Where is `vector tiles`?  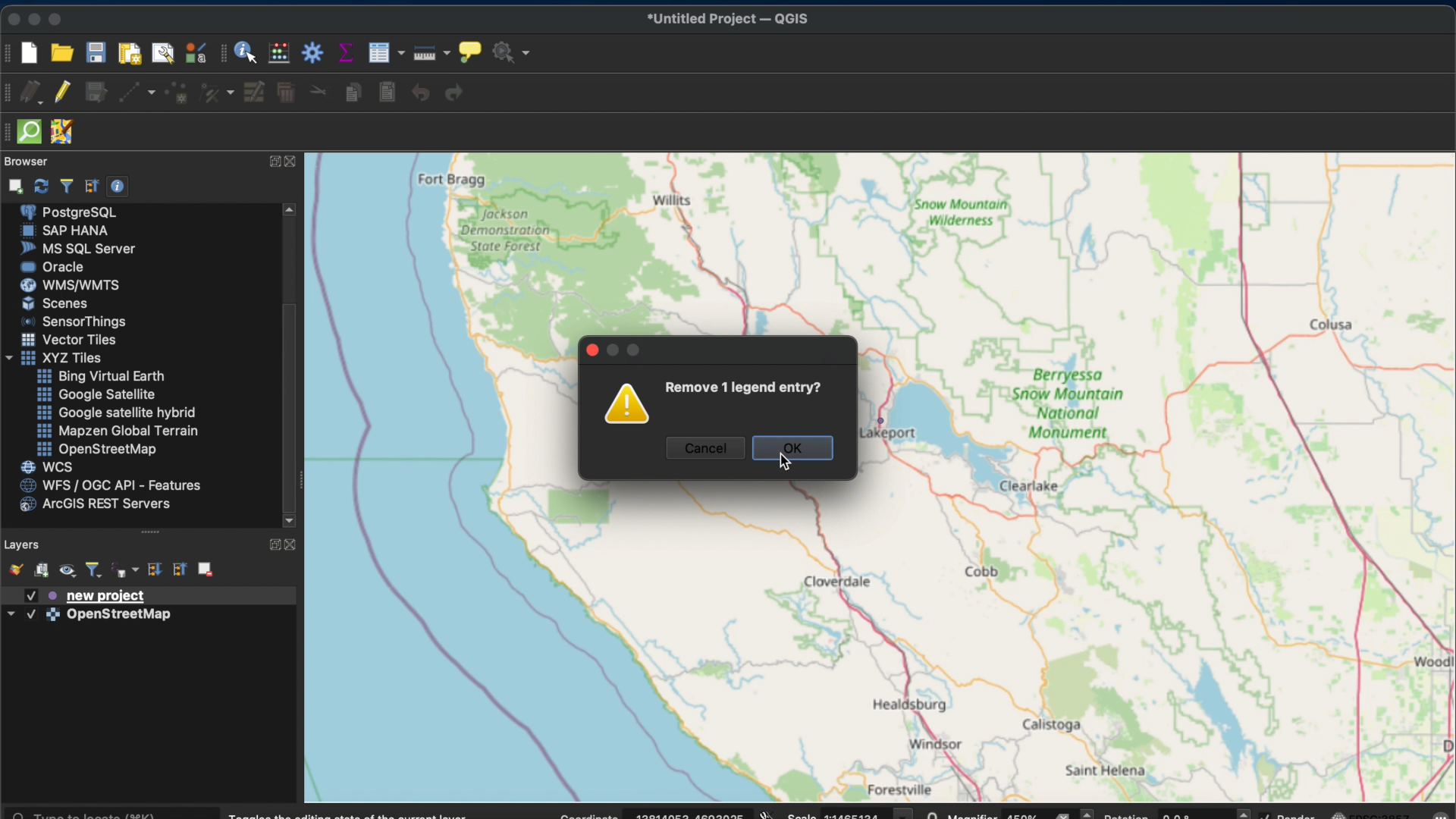 vector tiles is located at coordinates (70, 340).